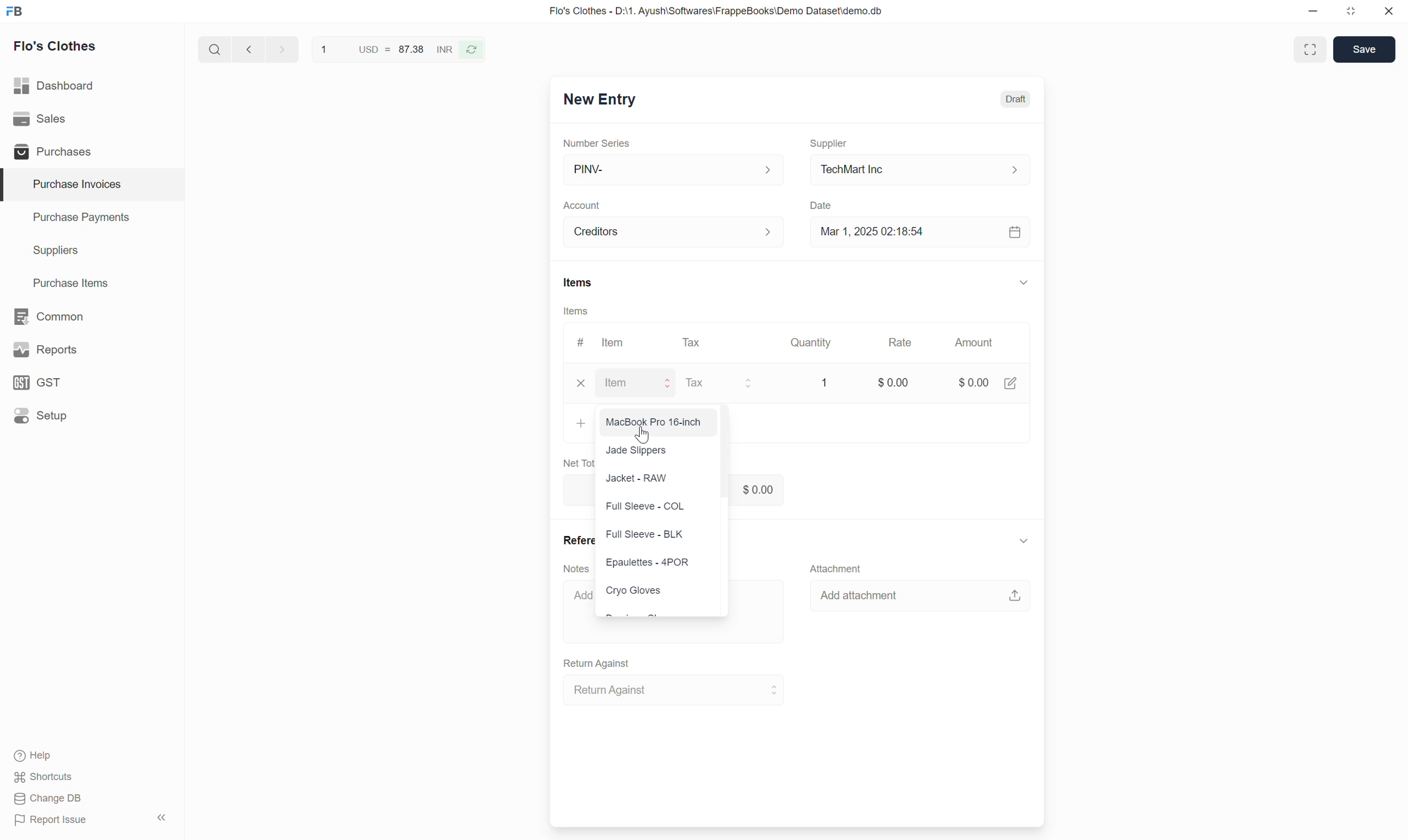 This screenshot has height=840, width=1408. Describe the element at coordinates (44, 777) in the screenshot. I see `Shortcuts` at that location.